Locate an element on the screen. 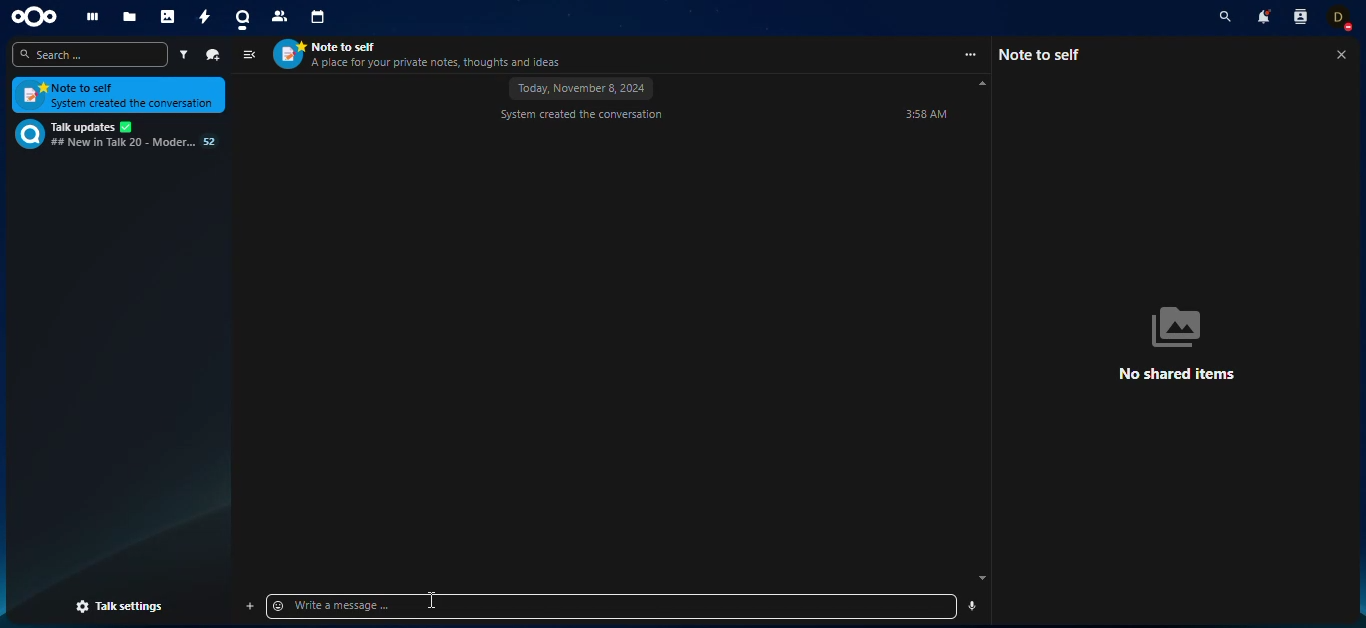  view is located at coordinates (249, 55).